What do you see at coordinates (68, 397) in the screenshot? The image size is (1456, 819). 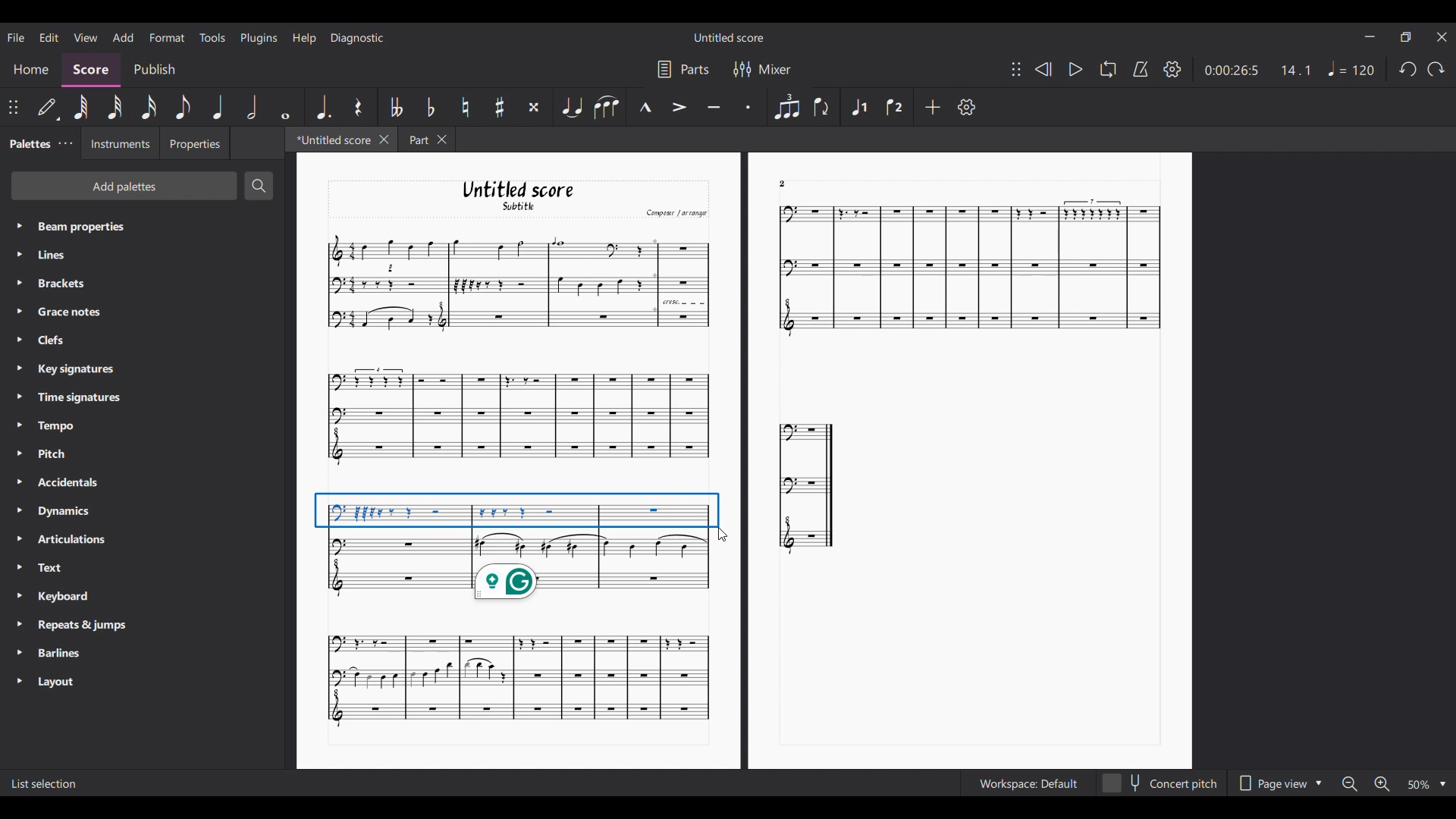 I see `» Time signature:` at bounding box center [68, 397].